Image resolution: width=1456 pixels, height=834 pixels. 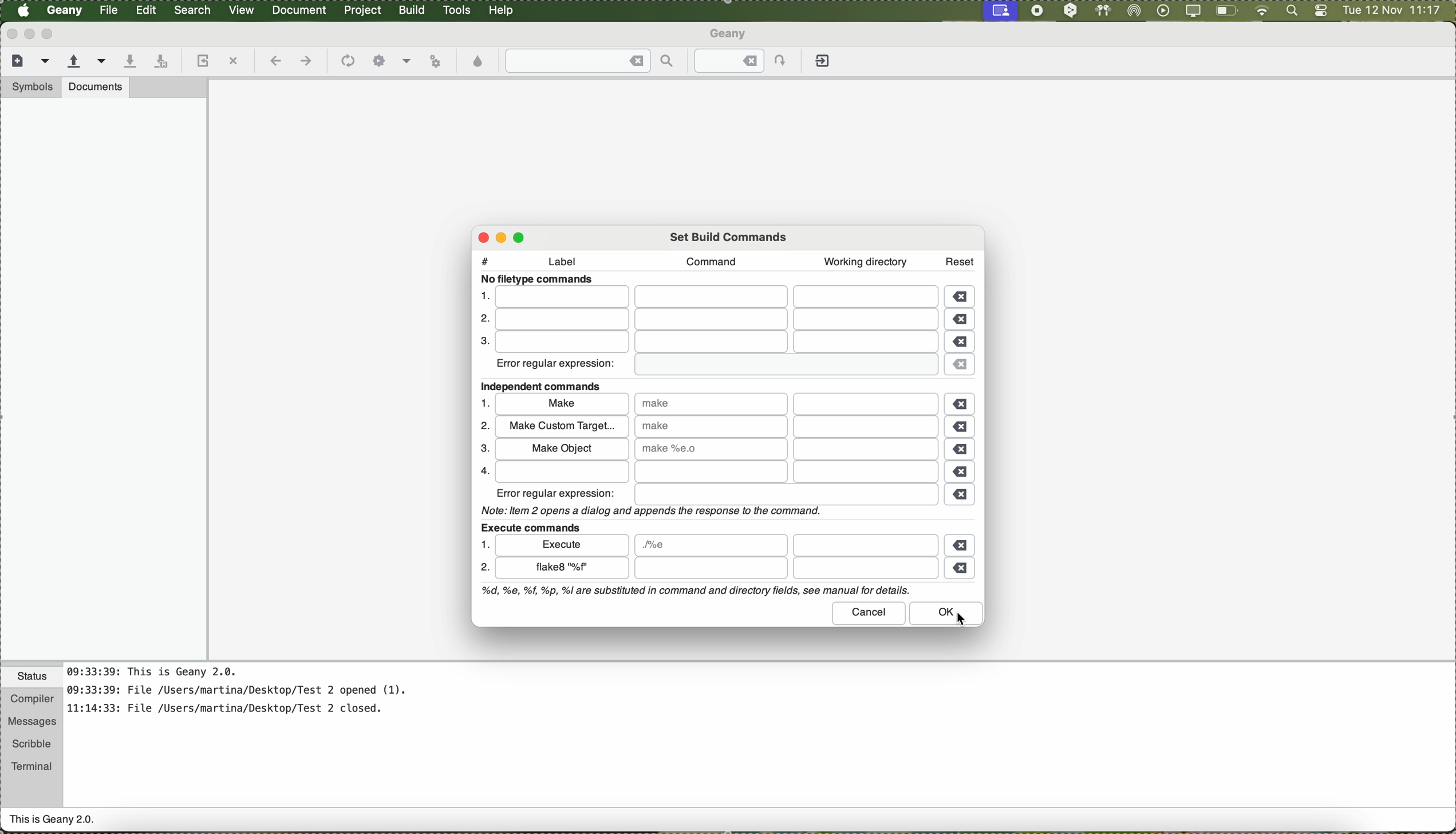 I want to click on DeepL, so click(x=1071, y=11).